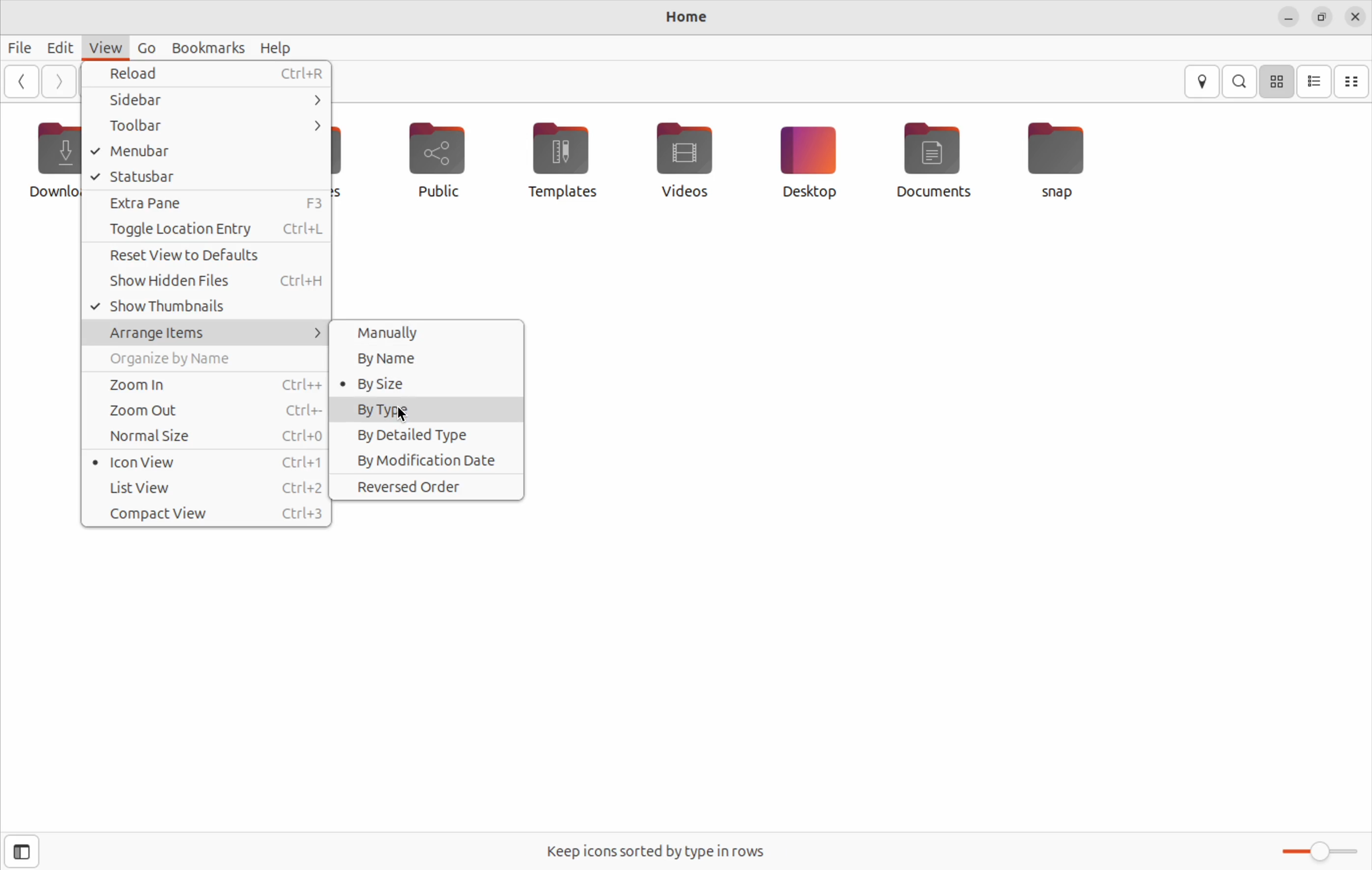 This screenshot has width=1372, height=870. Describe the element at coordinates (205, 151) in the screenshot. I see `menu bar` at that location.